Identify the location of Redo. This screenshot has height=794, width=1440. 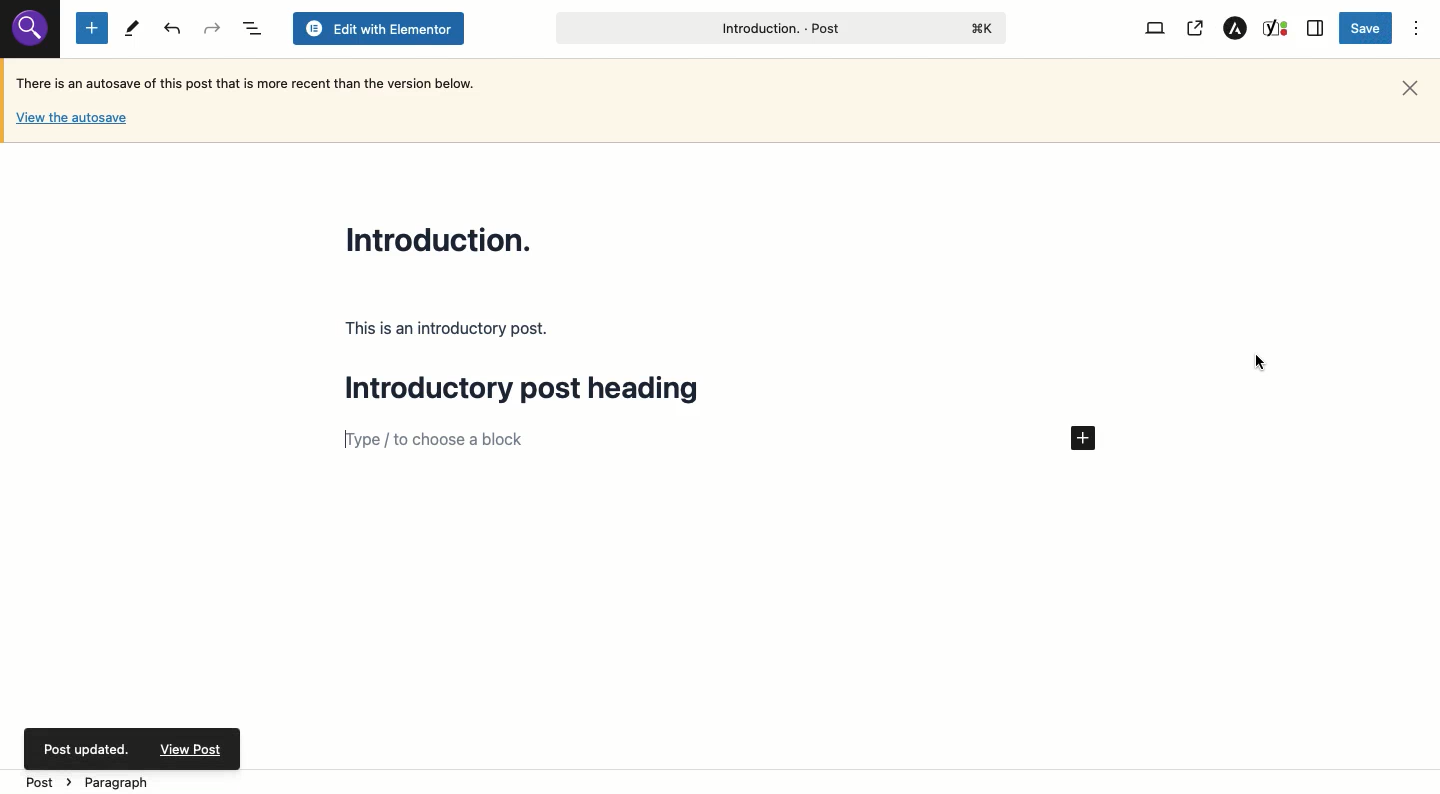
(174, 29).